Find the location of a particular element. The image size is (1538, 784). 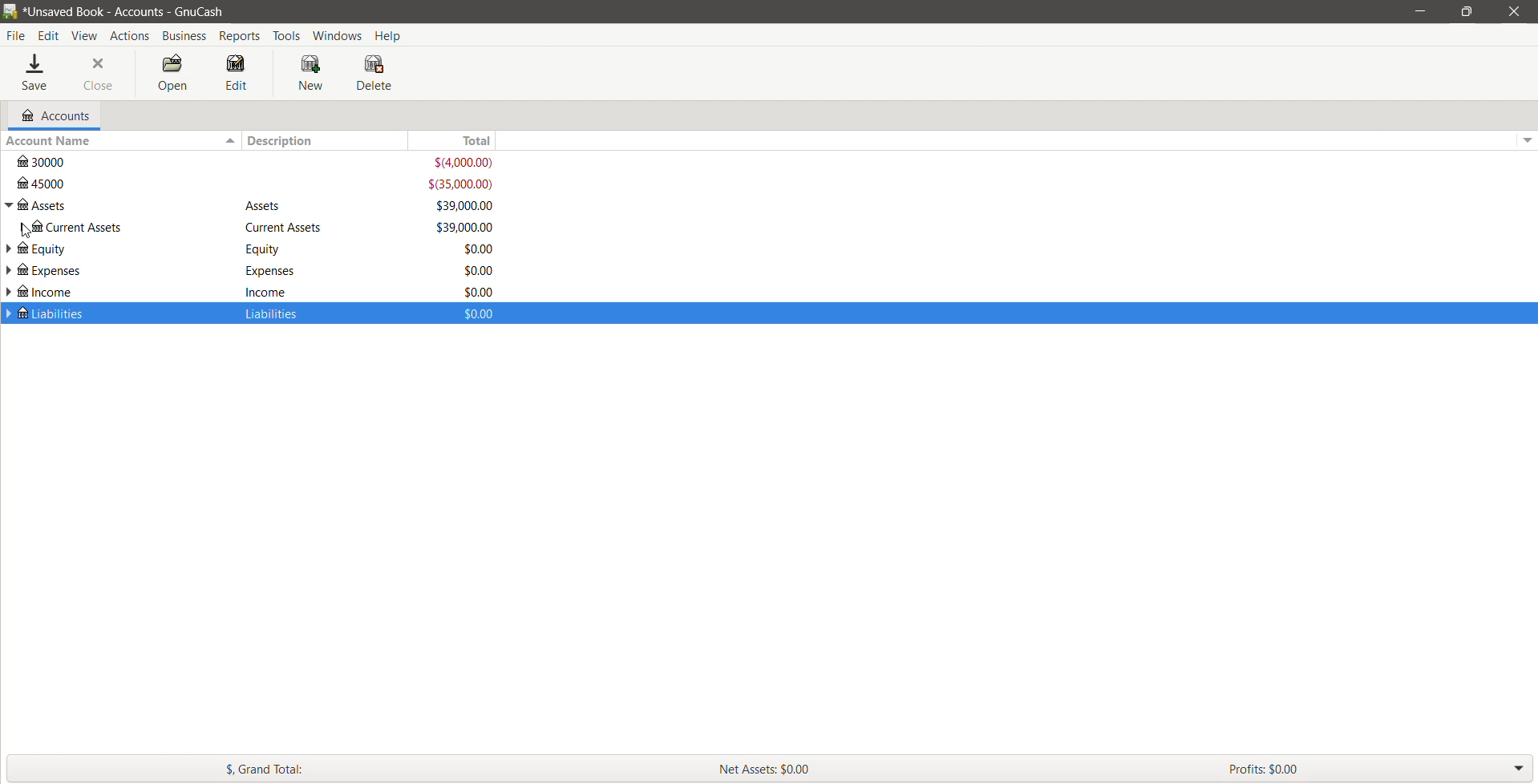

Equity is located at coordinates (287, 228).